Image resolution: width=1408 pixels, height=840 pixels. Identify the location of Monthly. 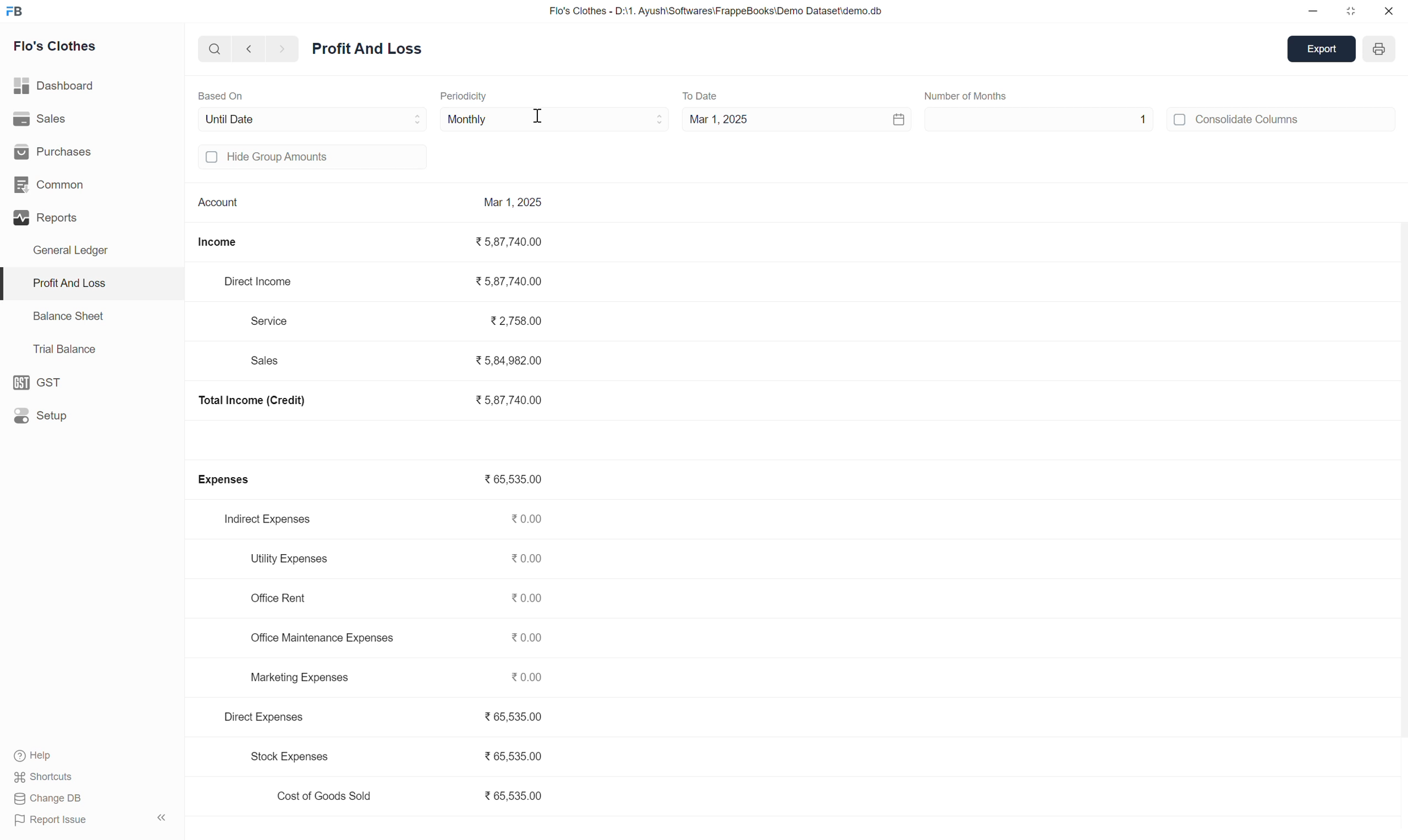
(467, 119).